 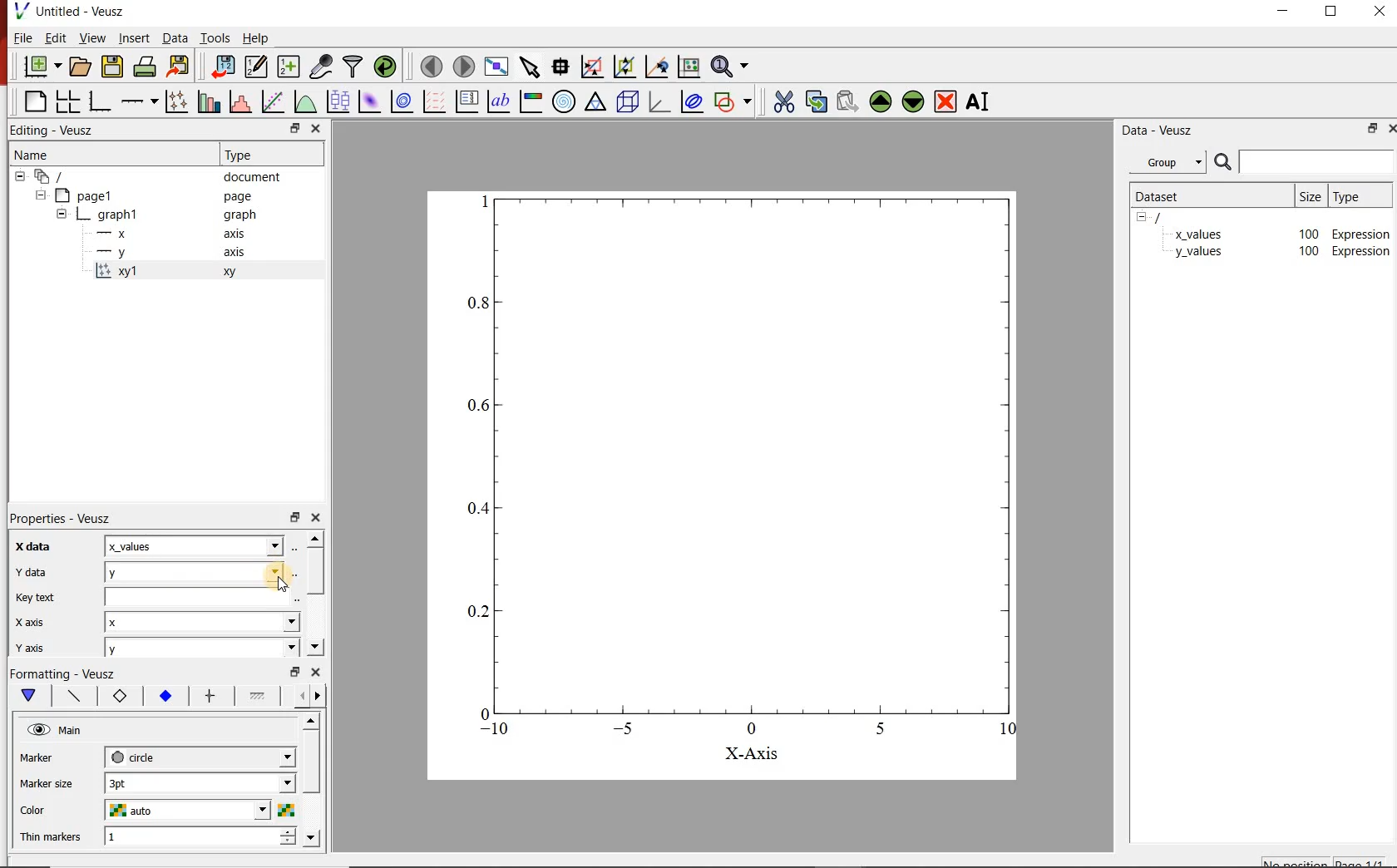 I want to click on move down, so click(x=312, y=837).